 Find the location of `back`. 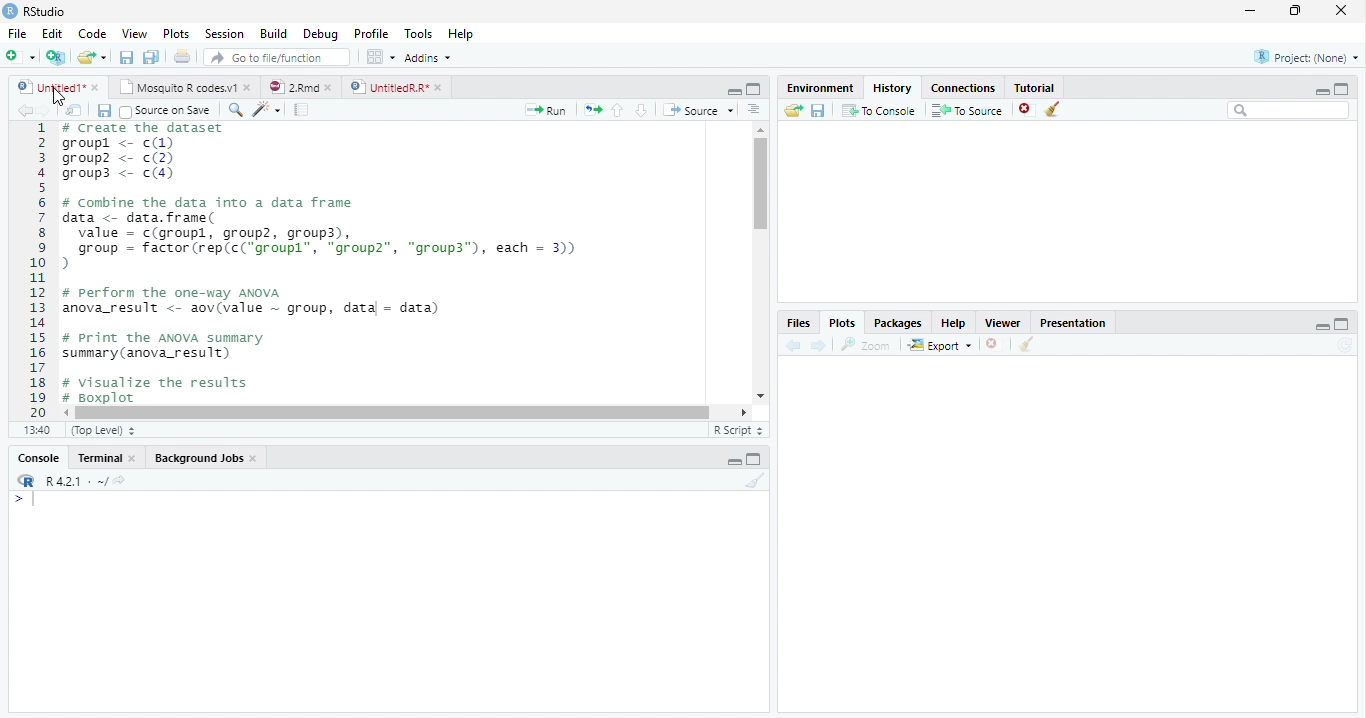

back is located at coordinates (791, 346).